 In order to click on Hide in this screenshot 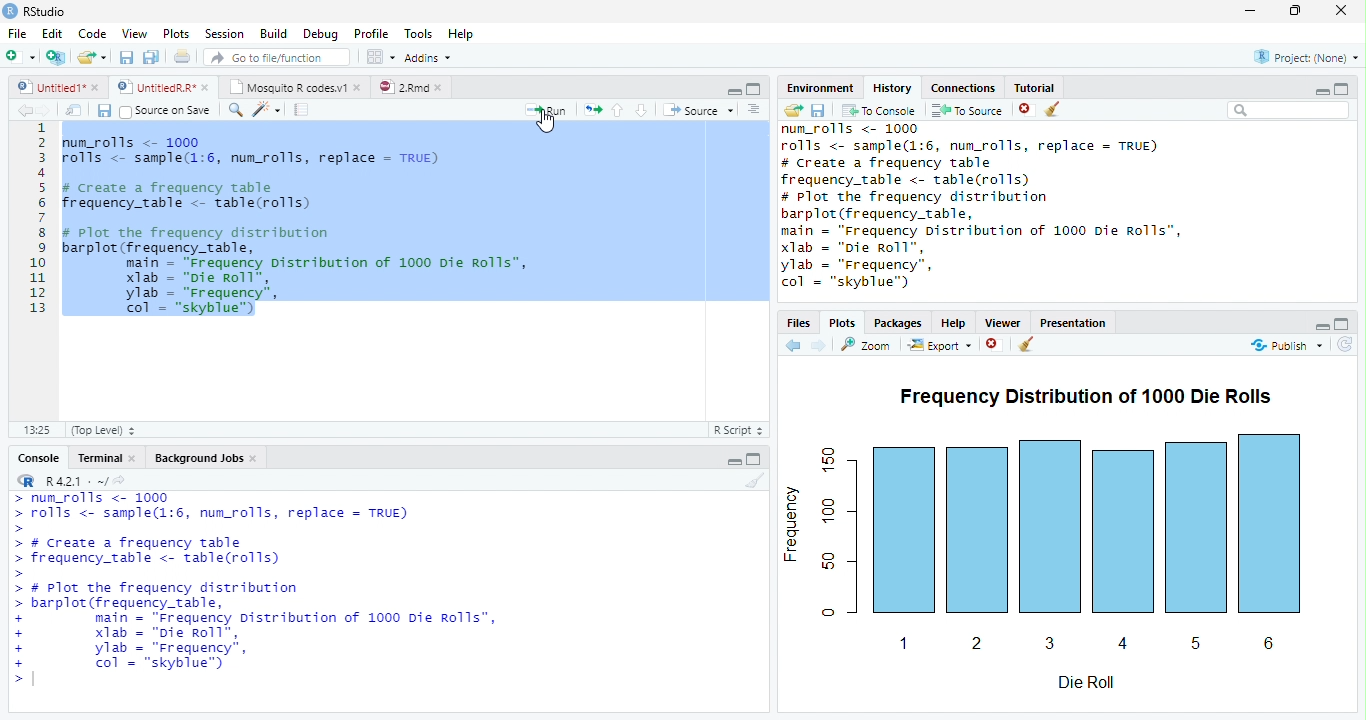, I will do `click(731, 461)`.